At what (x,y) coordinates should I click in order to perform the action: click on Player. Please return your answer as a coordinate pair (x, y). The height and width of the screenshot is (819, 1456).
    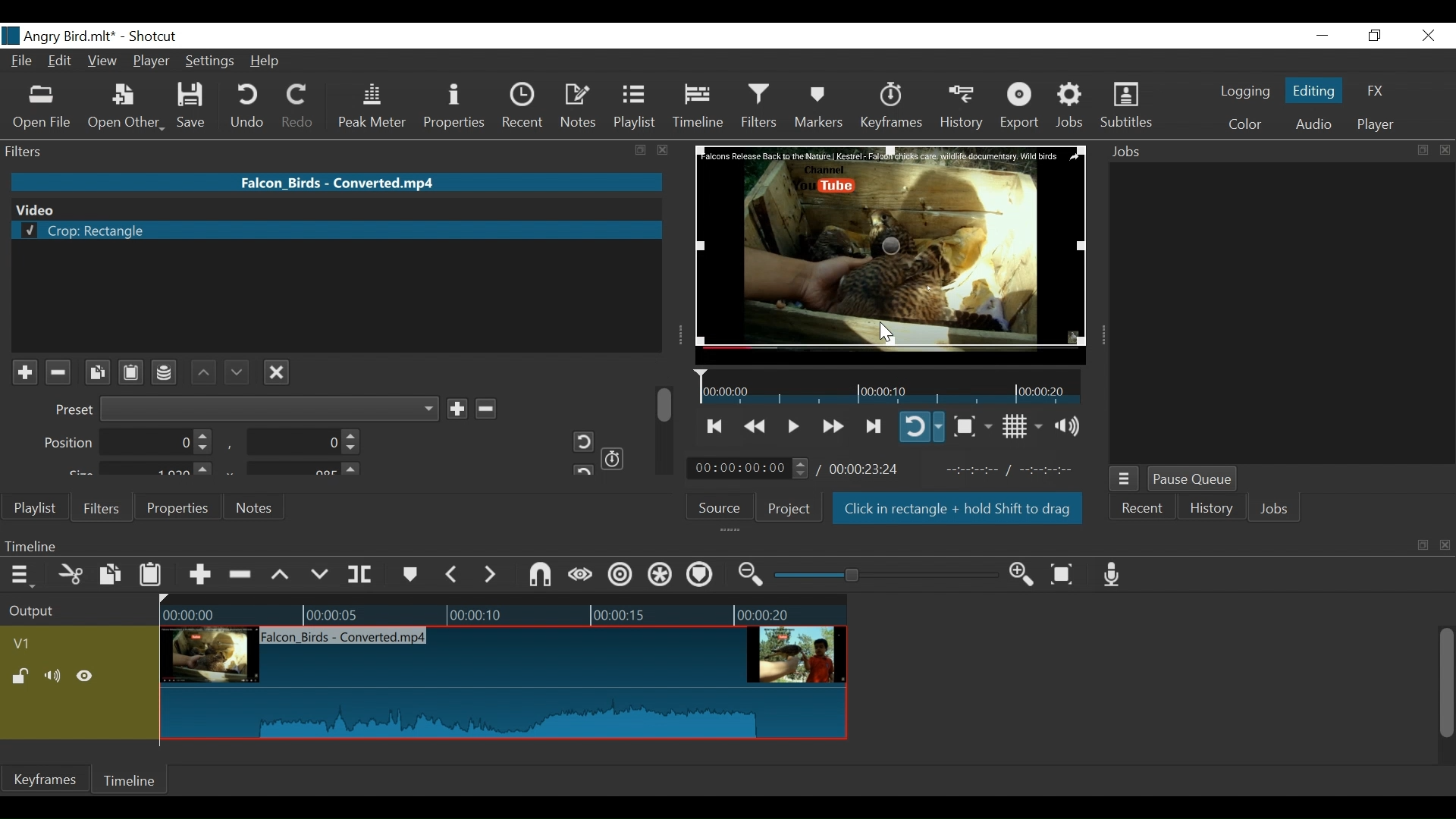
    Looking at the image, I should click on (152, 63).